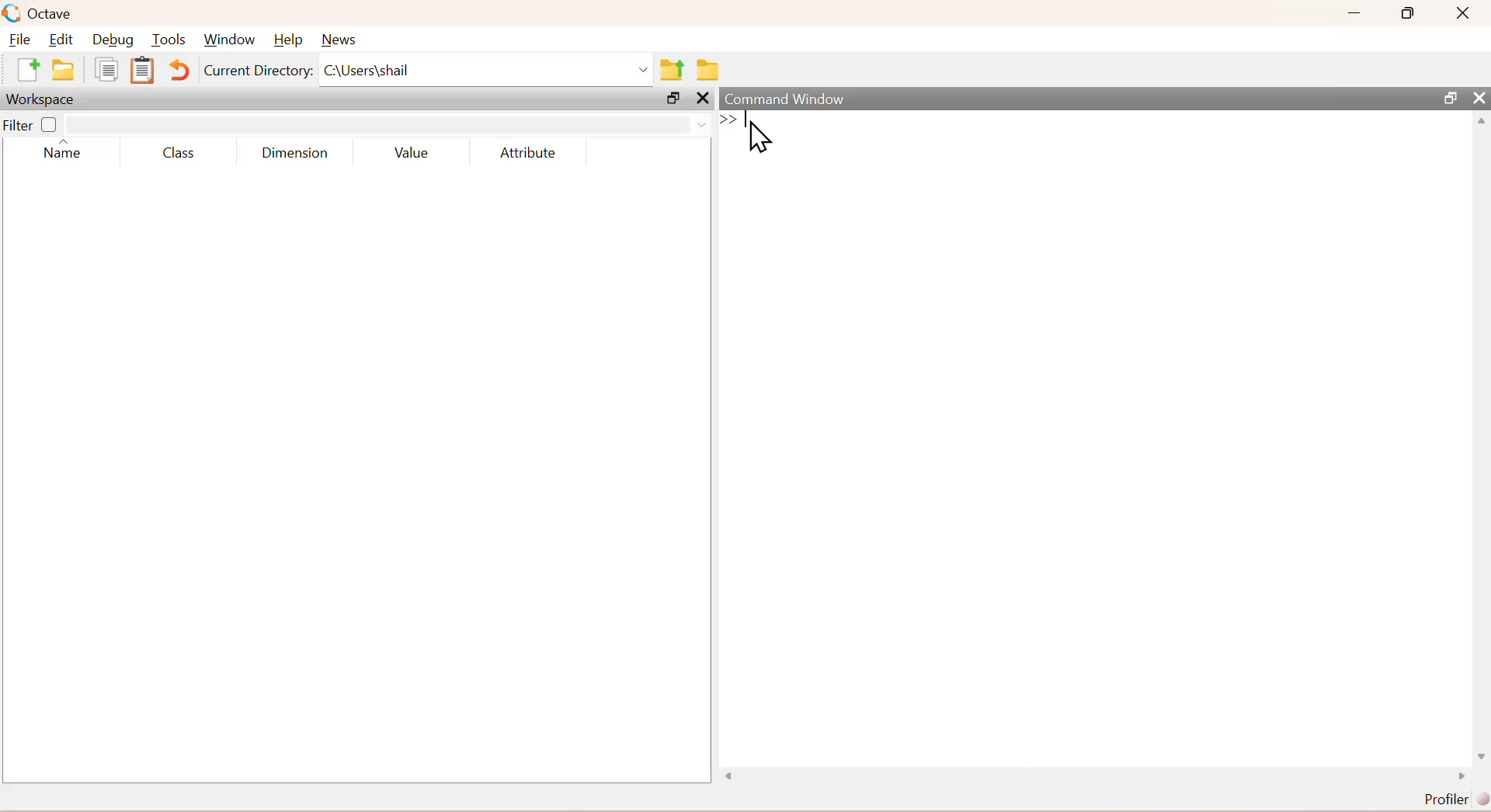 This screenshot has width=1491, height=812. Describe the element at coordinates (672, 99) in the screenshot. I see `Maximize/Restore` at that location.